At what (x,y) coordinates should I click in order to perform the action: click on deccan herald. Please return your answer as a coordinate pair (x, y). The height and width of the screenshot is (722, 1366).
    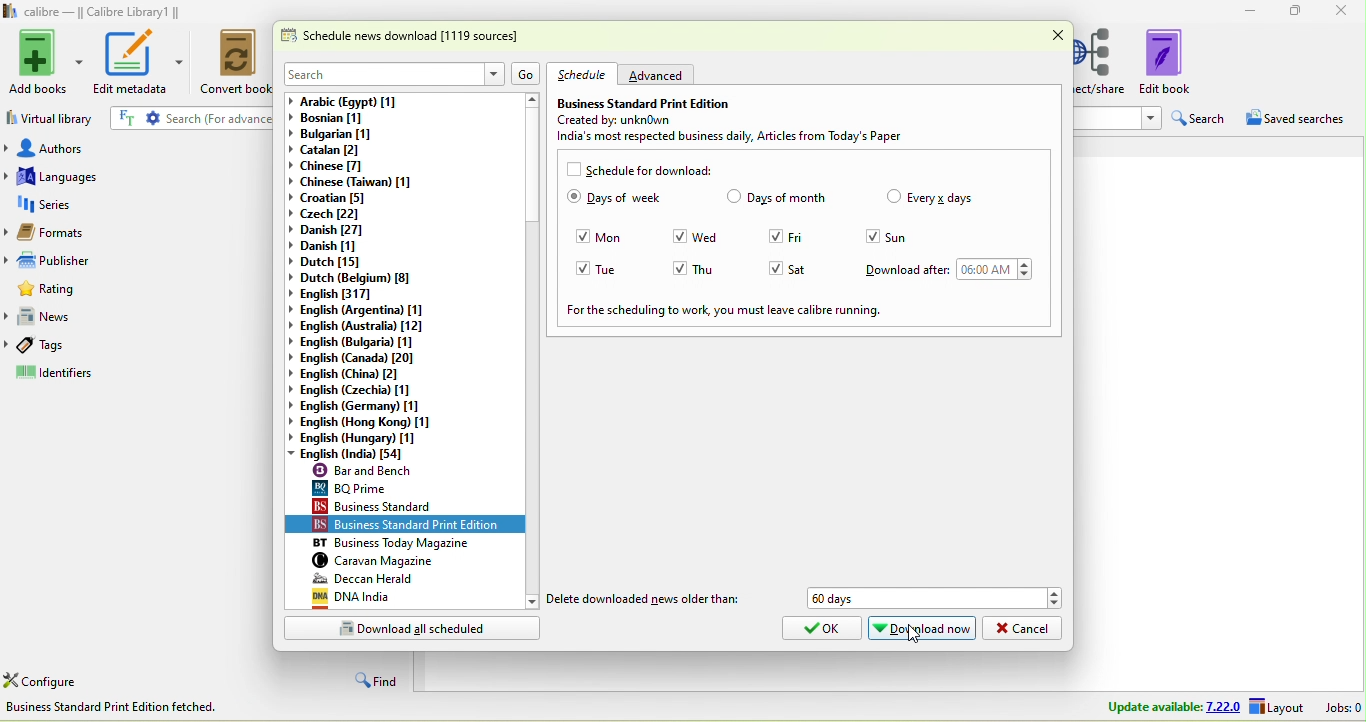
    Looking at the image, I should click on (411, 578).